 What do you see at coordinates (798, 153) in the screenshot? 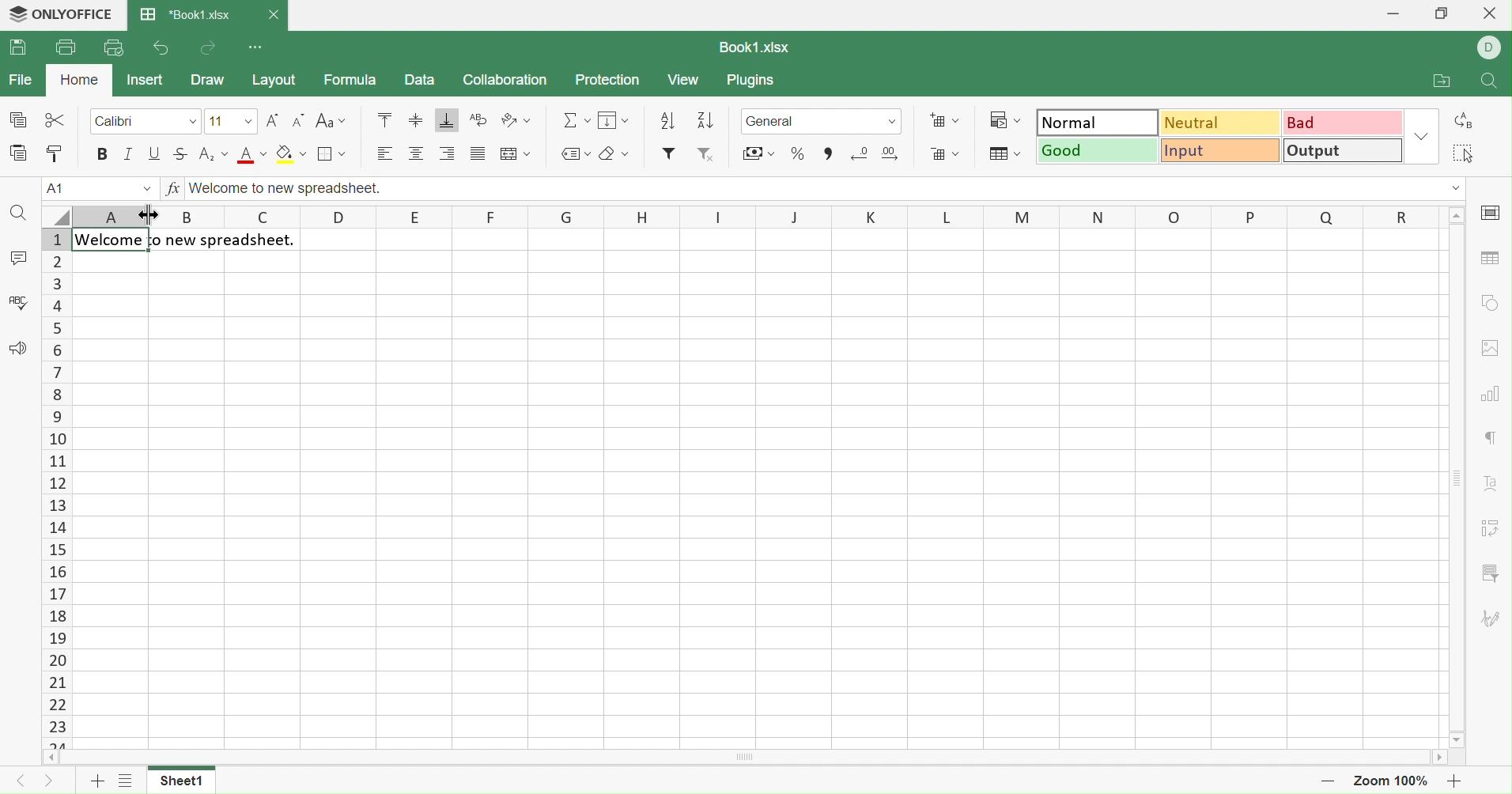
I see `Percentage style` at bounding box center [798, 153].